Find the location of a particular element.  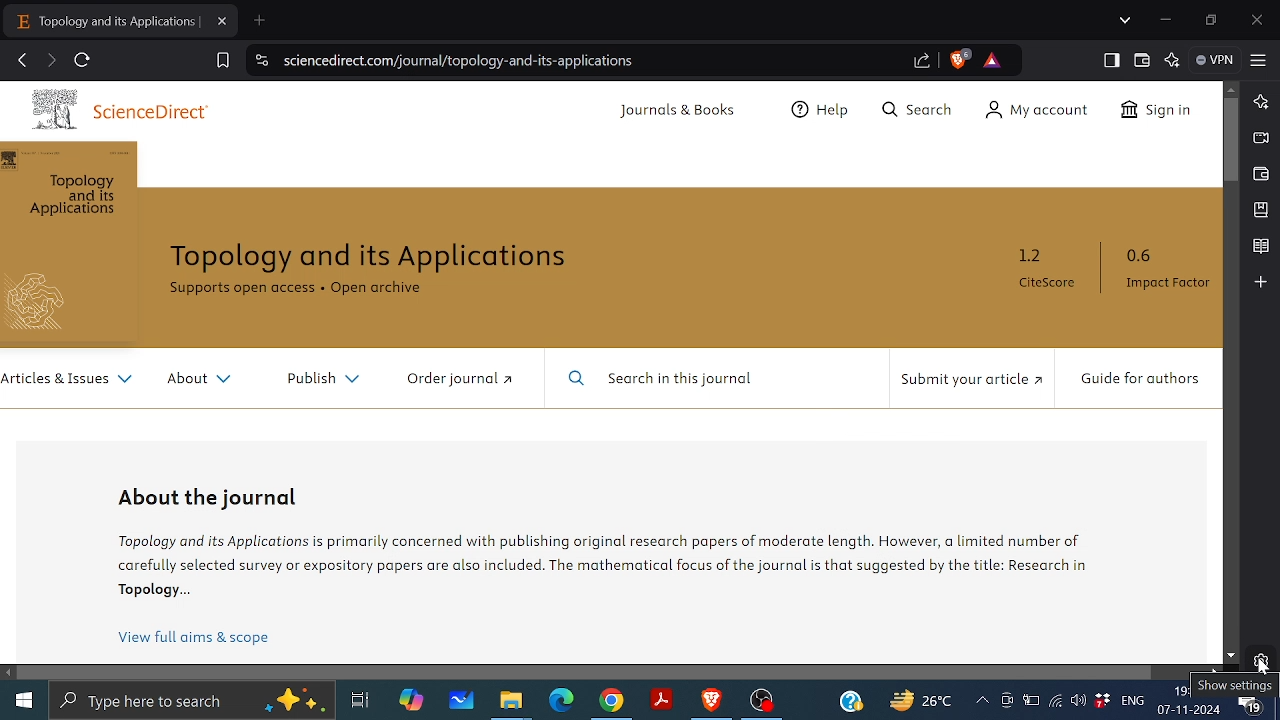

Vertical scrollbar is located at coordinates (1233, 138).